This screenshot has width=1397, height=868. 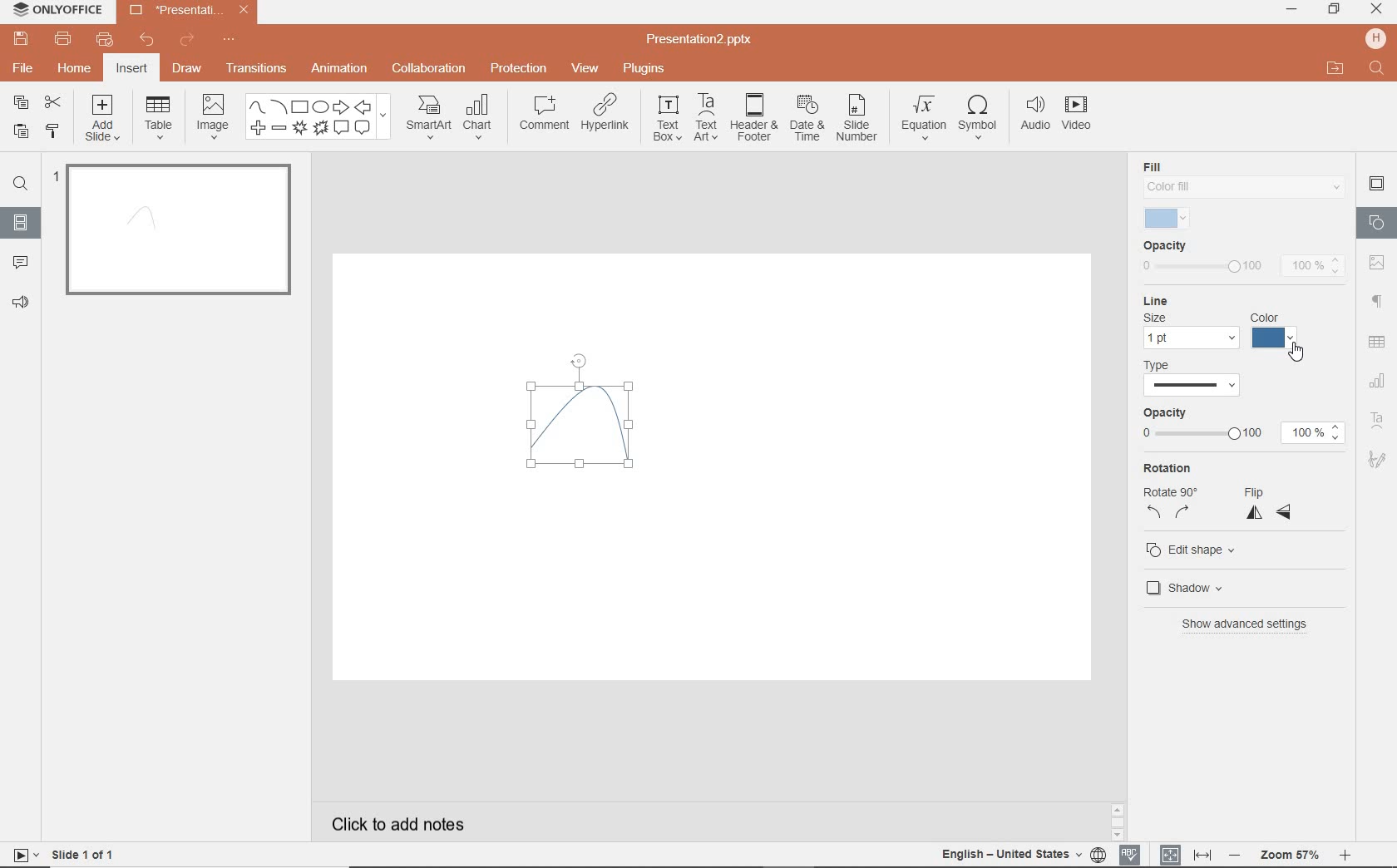 What do you see at coordinates (1311, 264) in the screenshot?
I see `100%` at bounding box center [1311, 264].